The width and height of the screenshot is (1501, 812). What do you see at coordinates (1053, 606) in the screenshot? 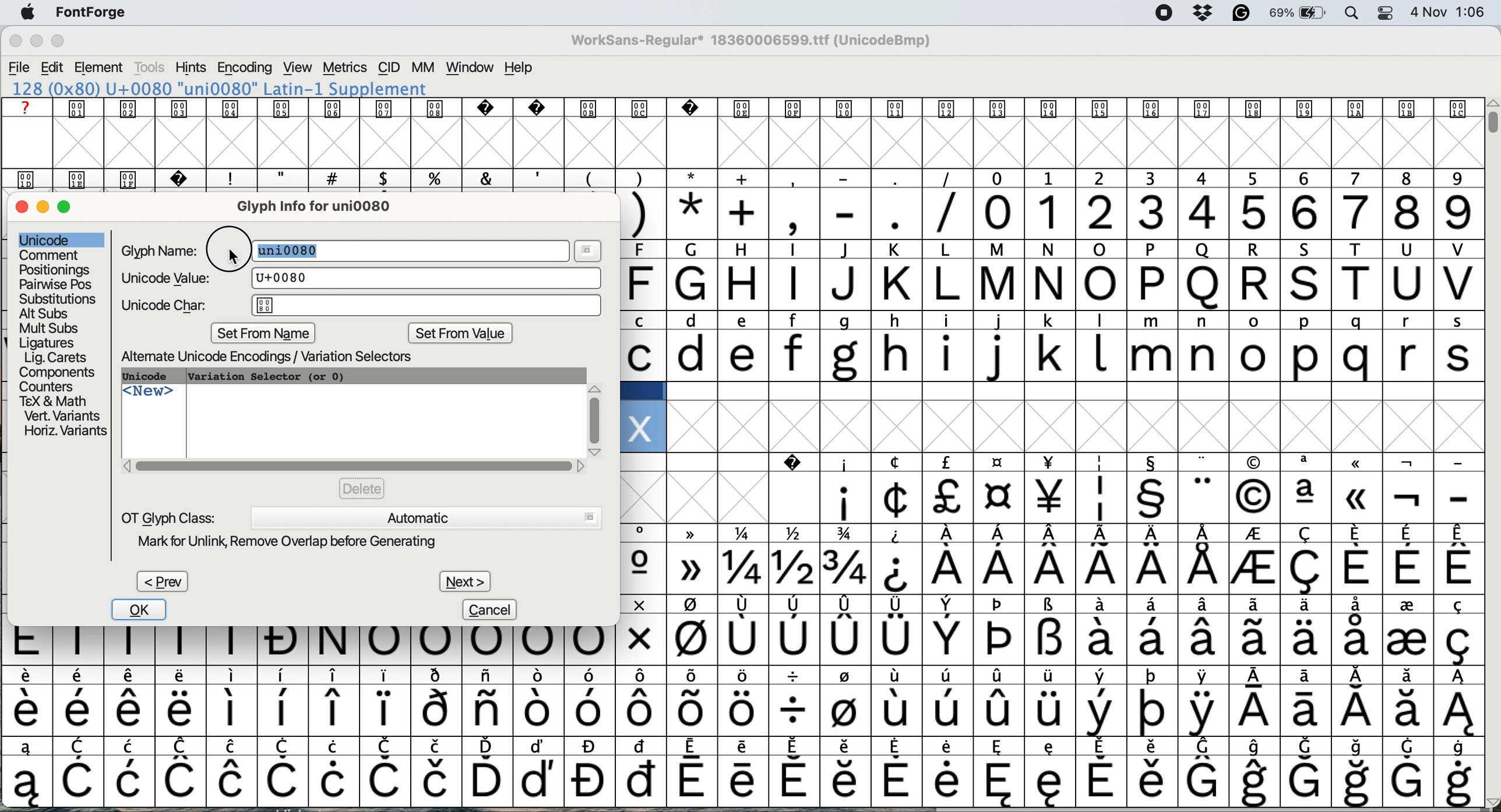
I see `special characters` at bounding box center [1053, 606].